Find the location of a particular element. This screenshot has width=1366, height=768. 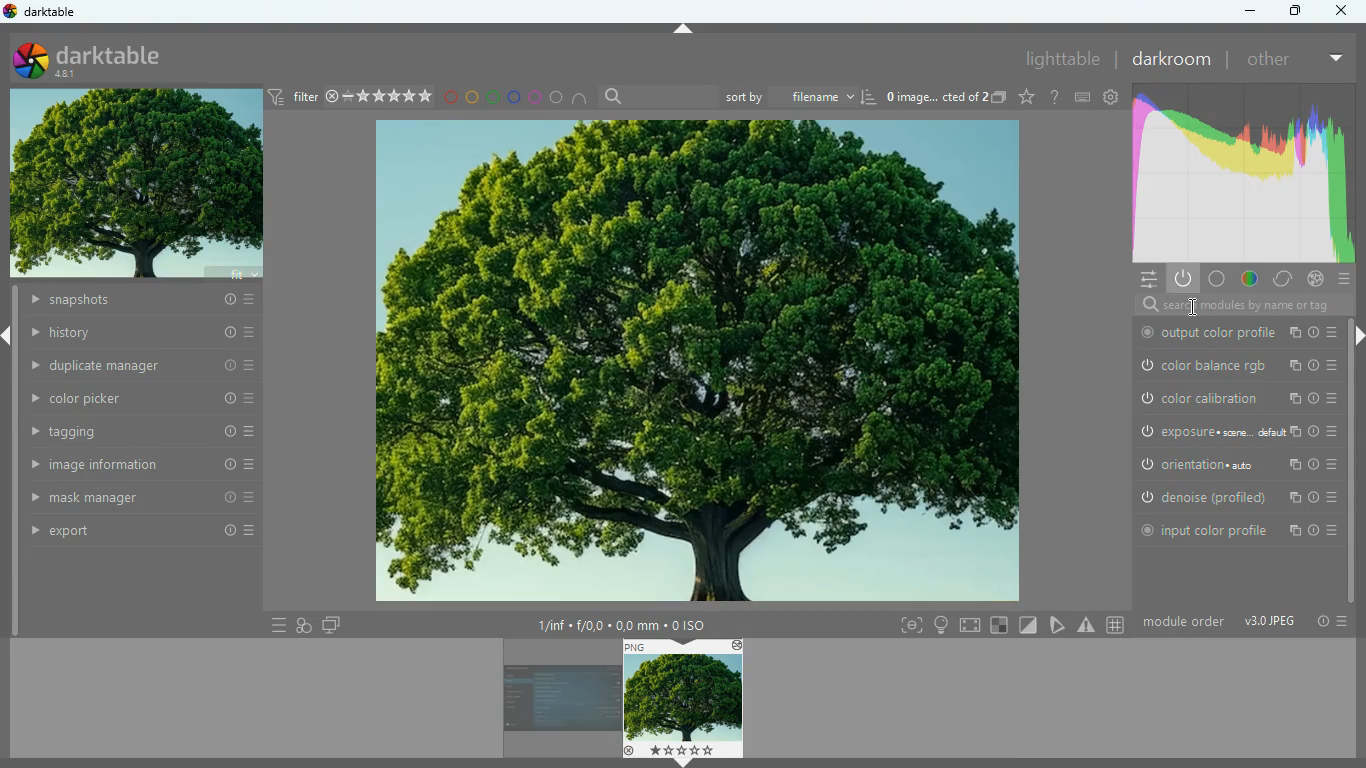

search is located at coordinates (656, 96).